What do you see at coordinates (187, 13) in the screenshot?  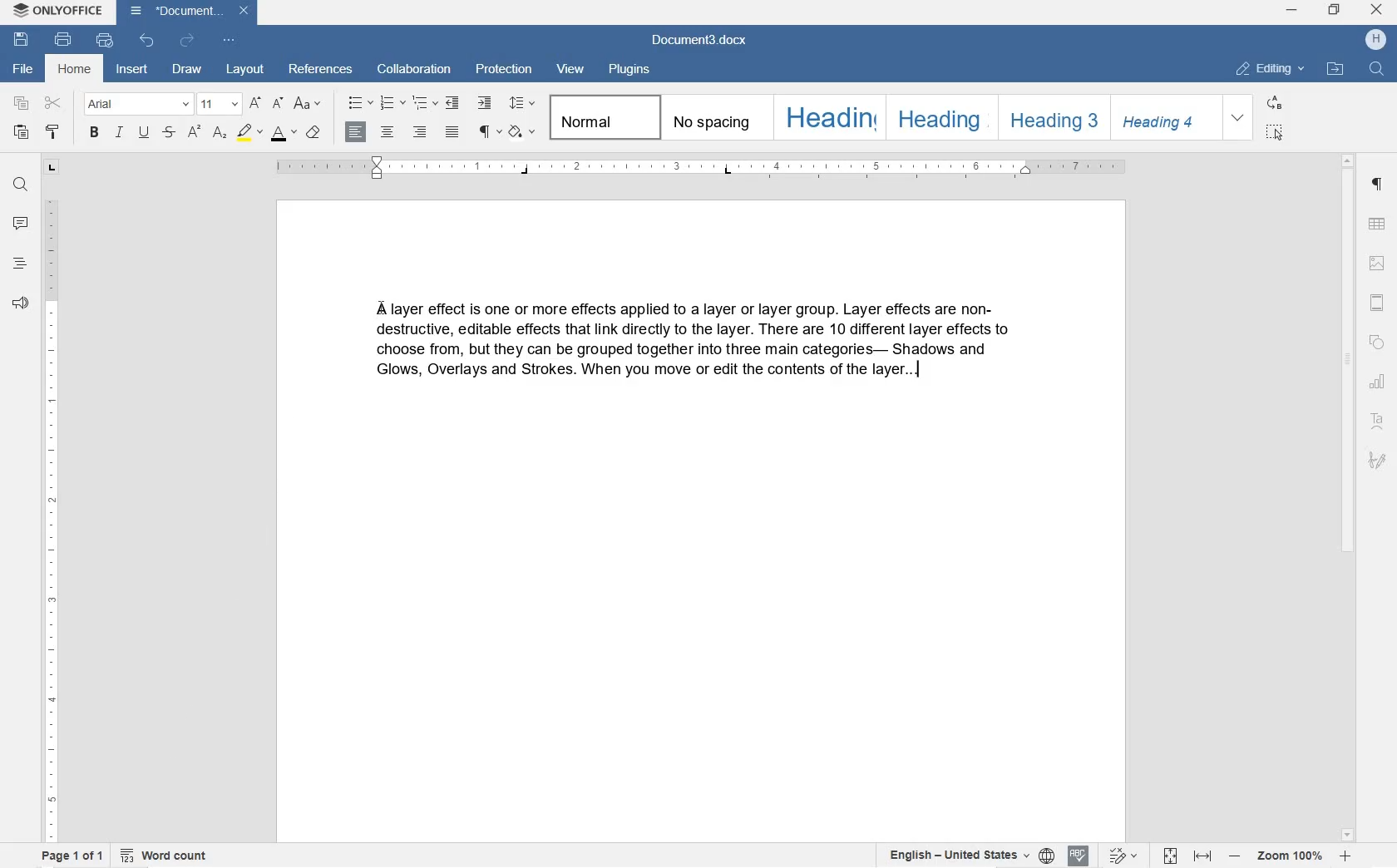 I see `Document3.docx` at bounding box center [187, 13].